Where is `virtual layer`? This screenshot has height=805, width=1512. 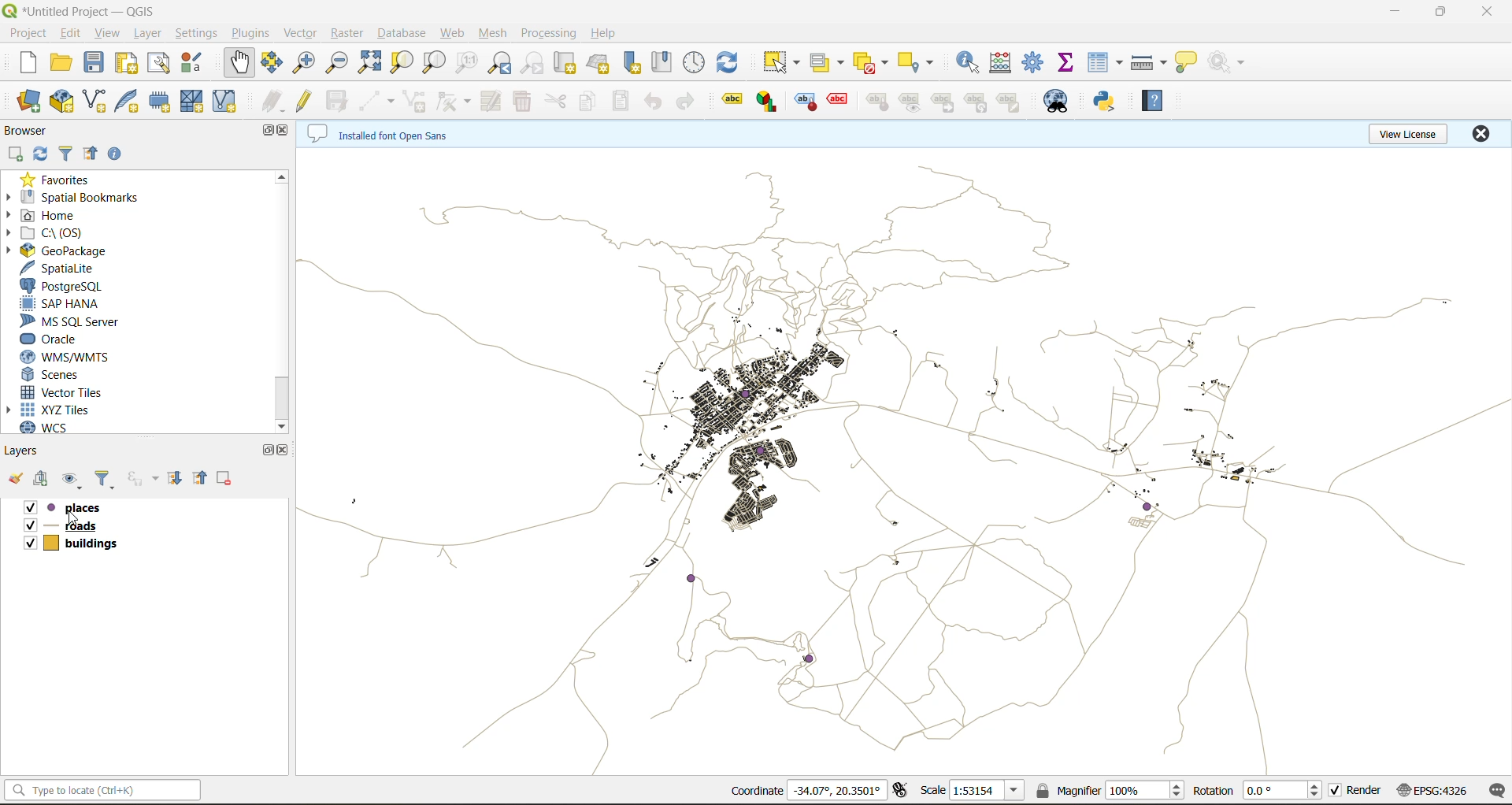 virtual layer is located at coordinates (232, 102).